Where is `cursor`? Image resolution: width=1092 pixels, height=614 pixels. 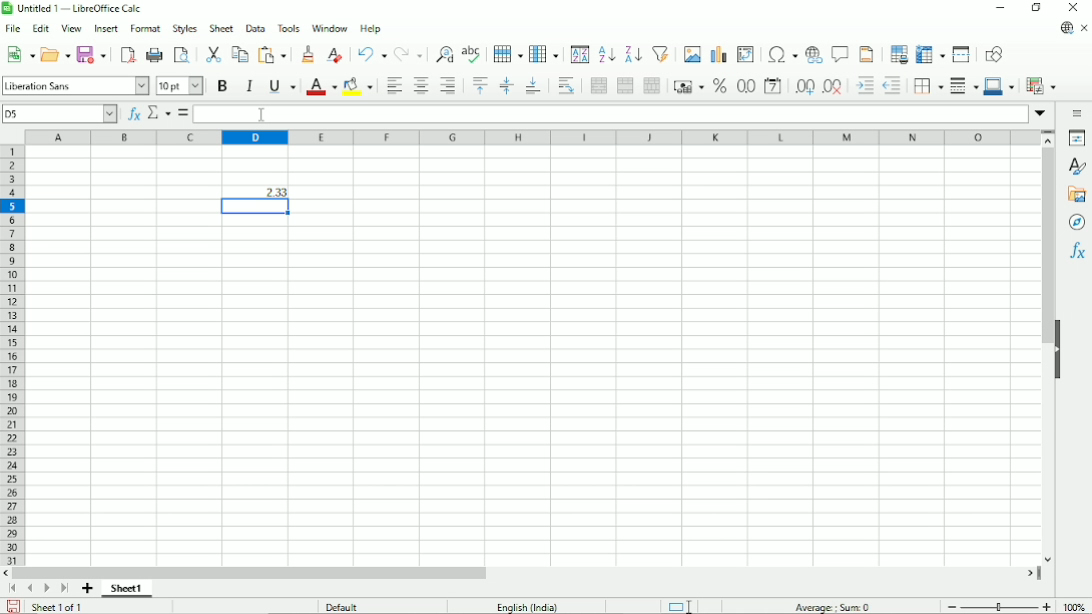
cursor is located at coordinates (262, 116).